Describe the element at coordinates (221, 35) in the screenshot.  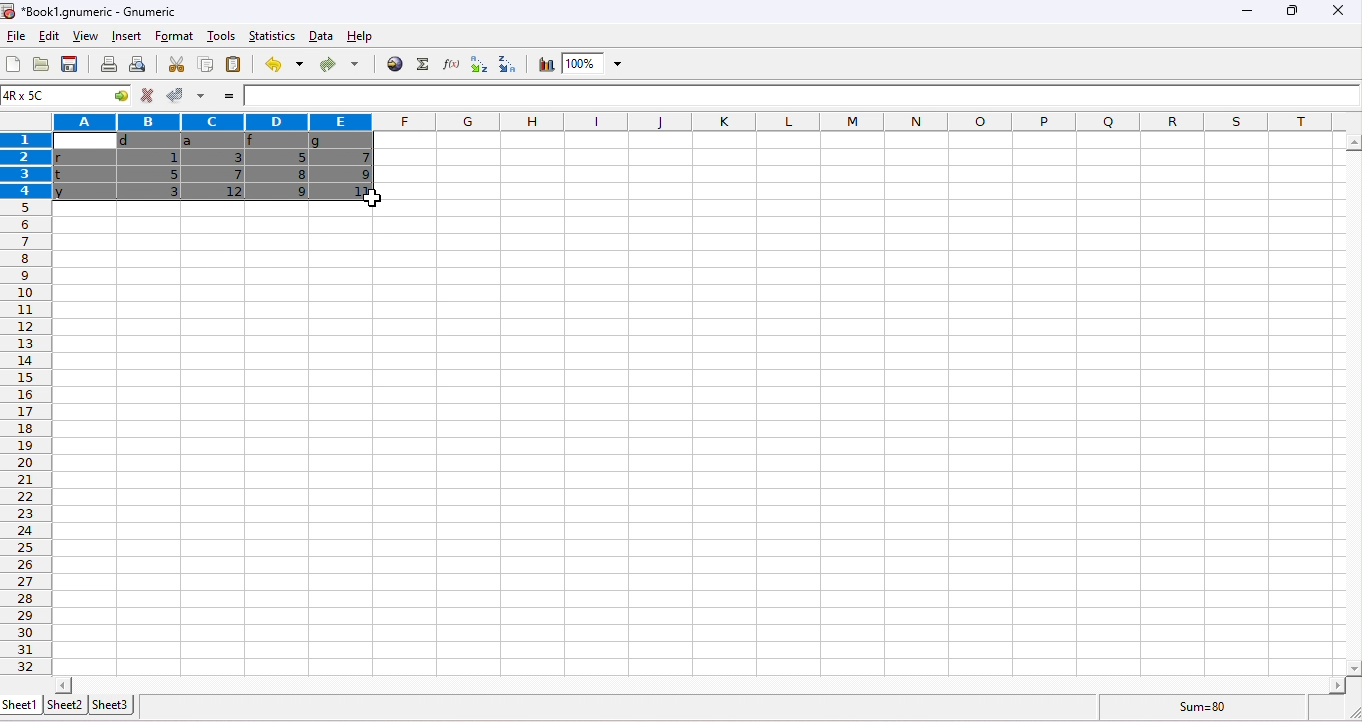
I see `tools` at that location.